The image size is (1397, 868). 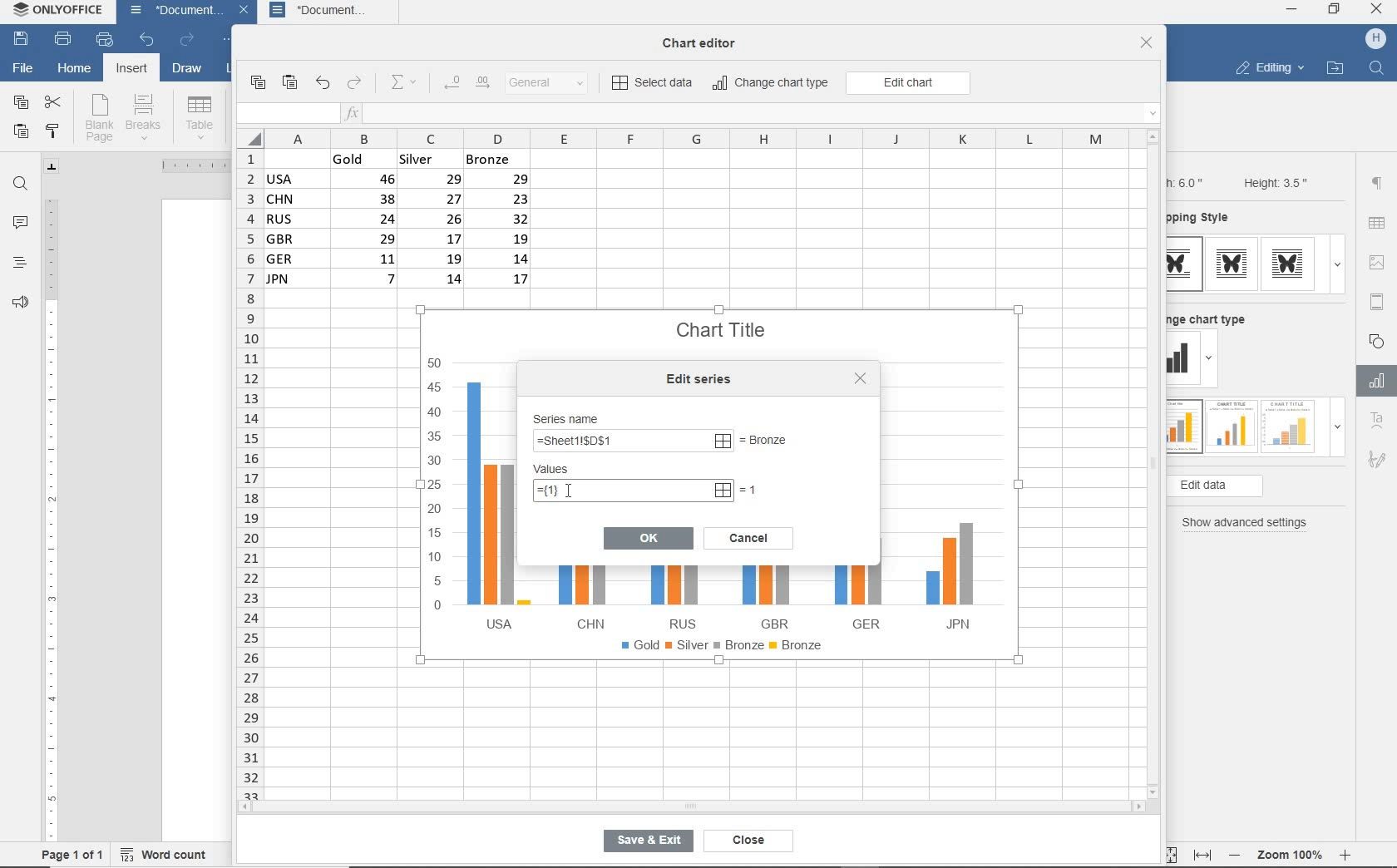 What do you see at coordinates (405, 224) in the screenshot?
I see `data` at bounding box center [405, 224].